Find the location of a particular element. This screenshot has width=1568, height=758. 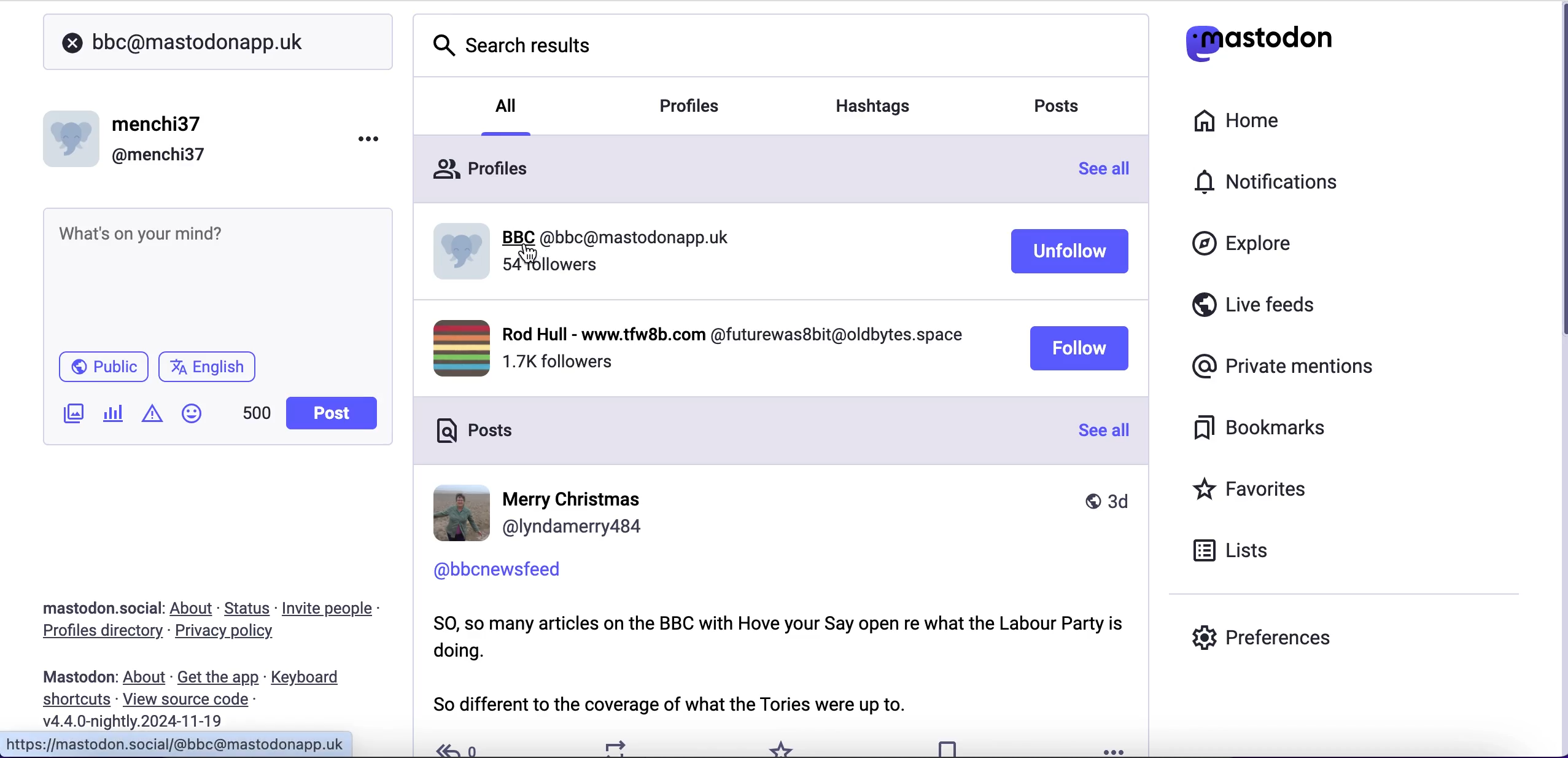

post what's n your mind is located at coordinates (219, 276).